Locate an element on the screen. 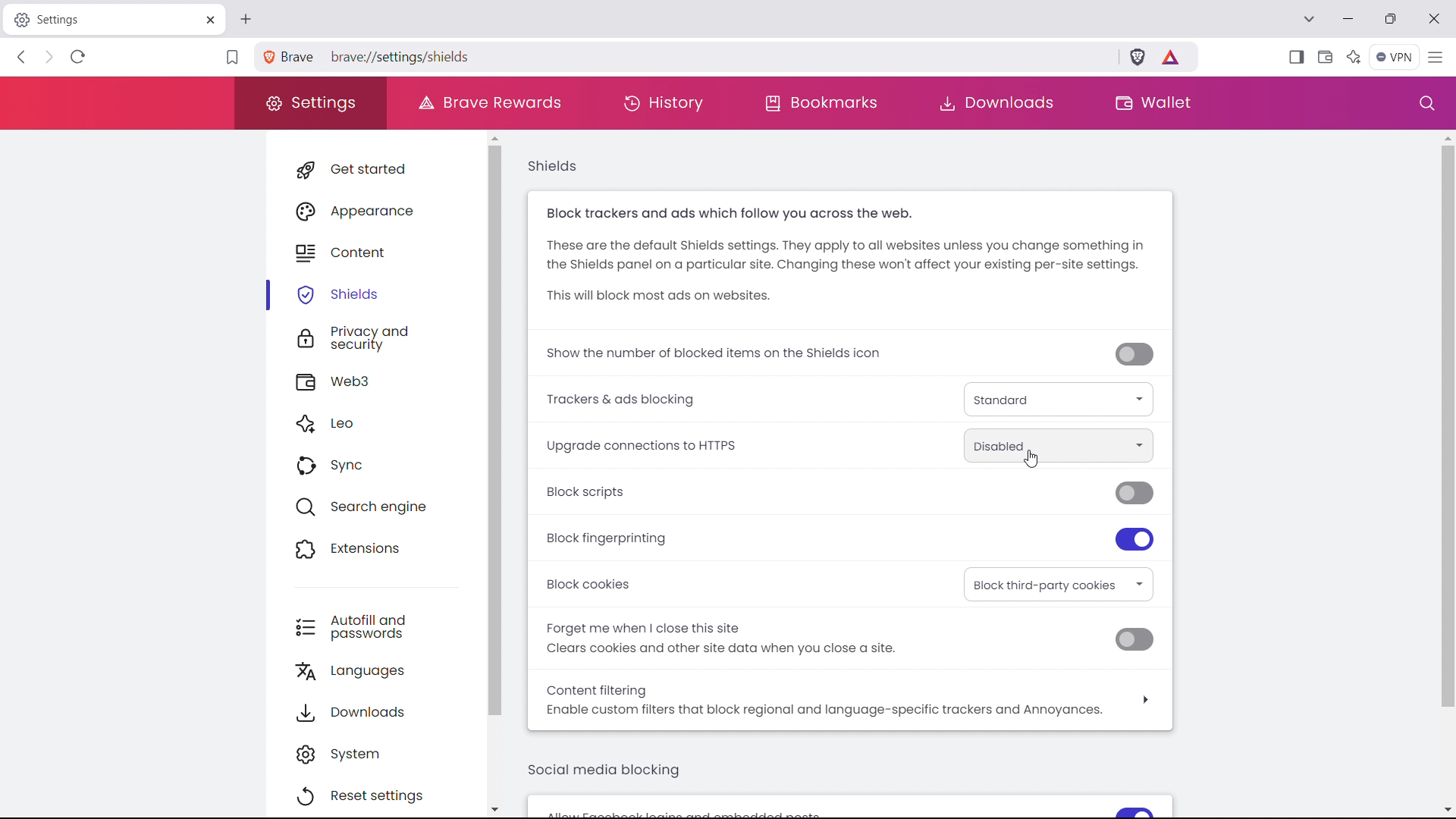 The height and width of the screenshot is (819, 1456). appearance is located at coordinates (384, 209).